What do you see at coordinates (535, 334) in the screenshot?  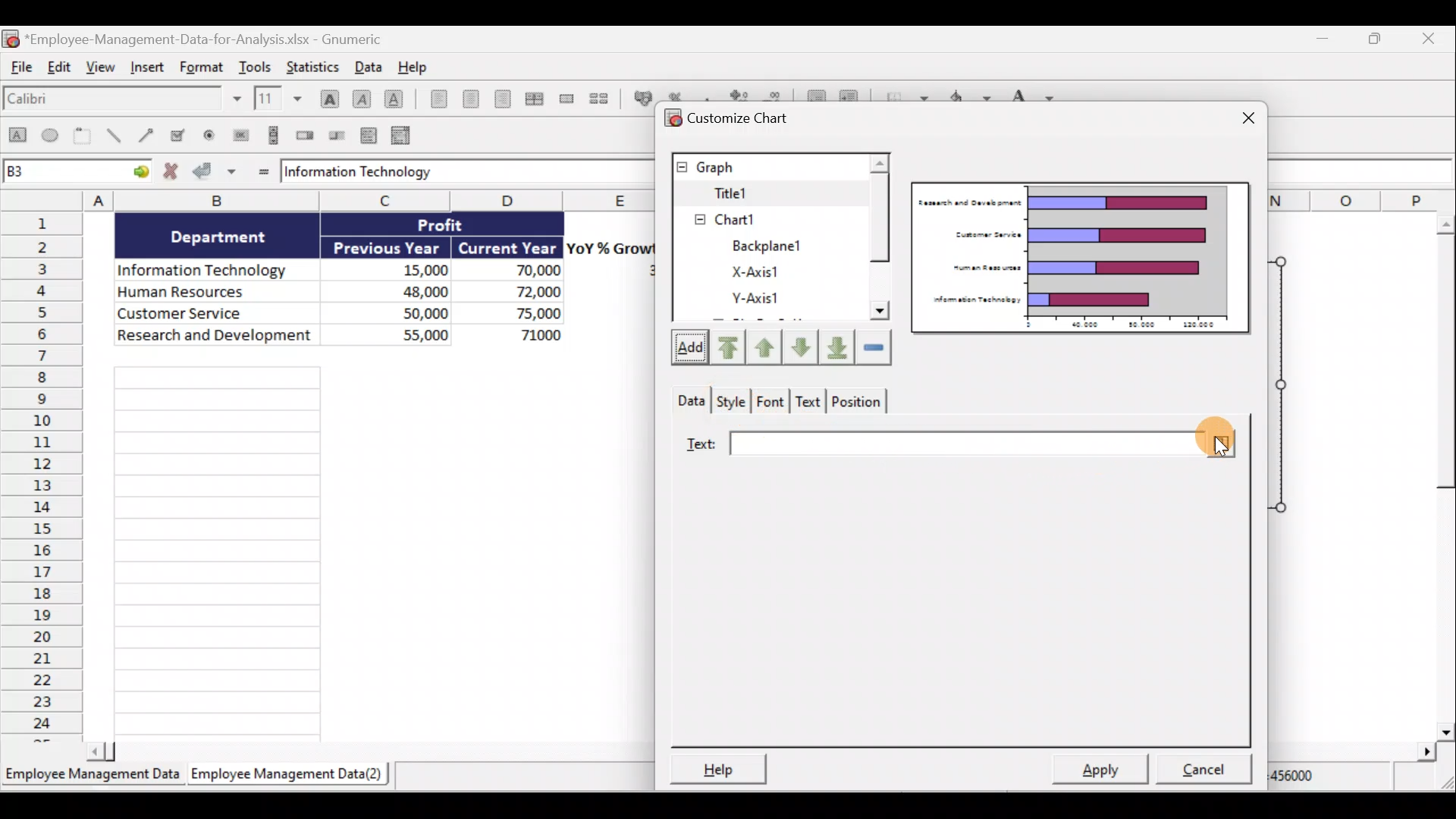 I see `71000` at bounding box center [535, 334].